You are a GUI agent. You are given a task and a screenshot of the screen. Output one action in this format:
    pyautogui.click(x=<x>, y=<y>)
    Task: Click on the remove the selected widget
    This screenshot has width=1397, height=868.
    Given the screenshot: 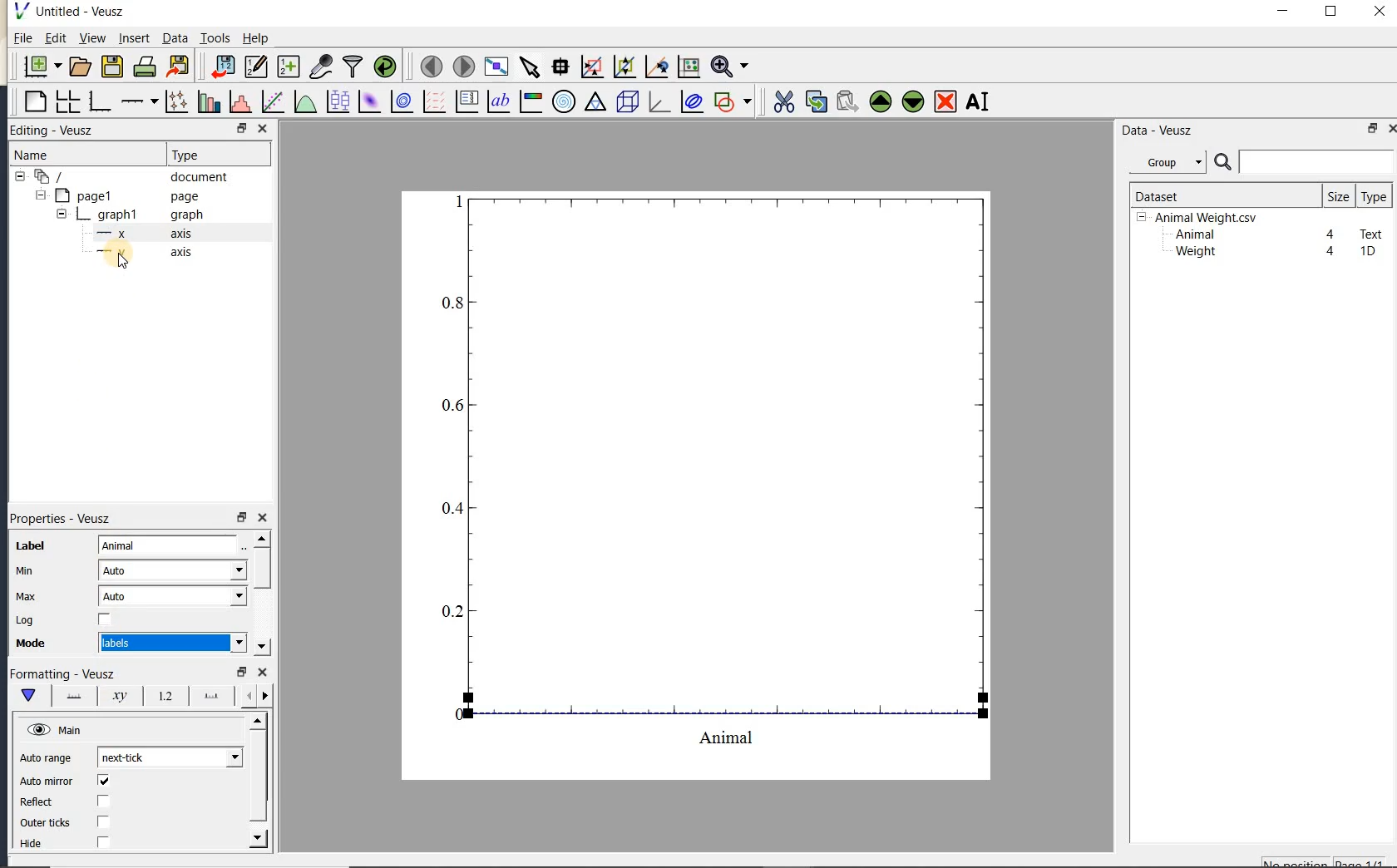 What is the action you would take?
    pyautogui.click(x=944, y=103)
    